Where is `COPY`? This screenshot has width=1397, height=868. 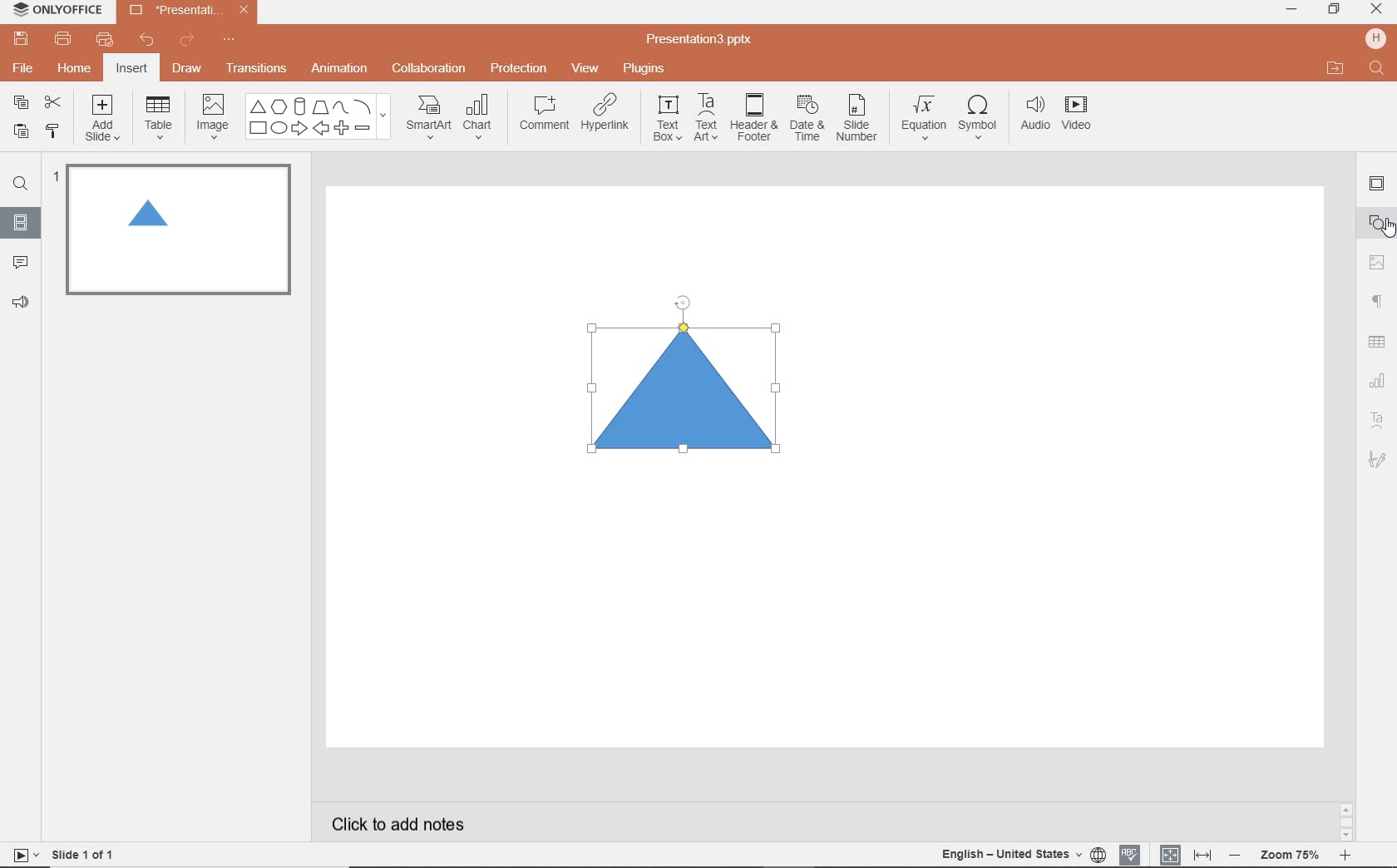
COPY is located at coordinates (22, 105).